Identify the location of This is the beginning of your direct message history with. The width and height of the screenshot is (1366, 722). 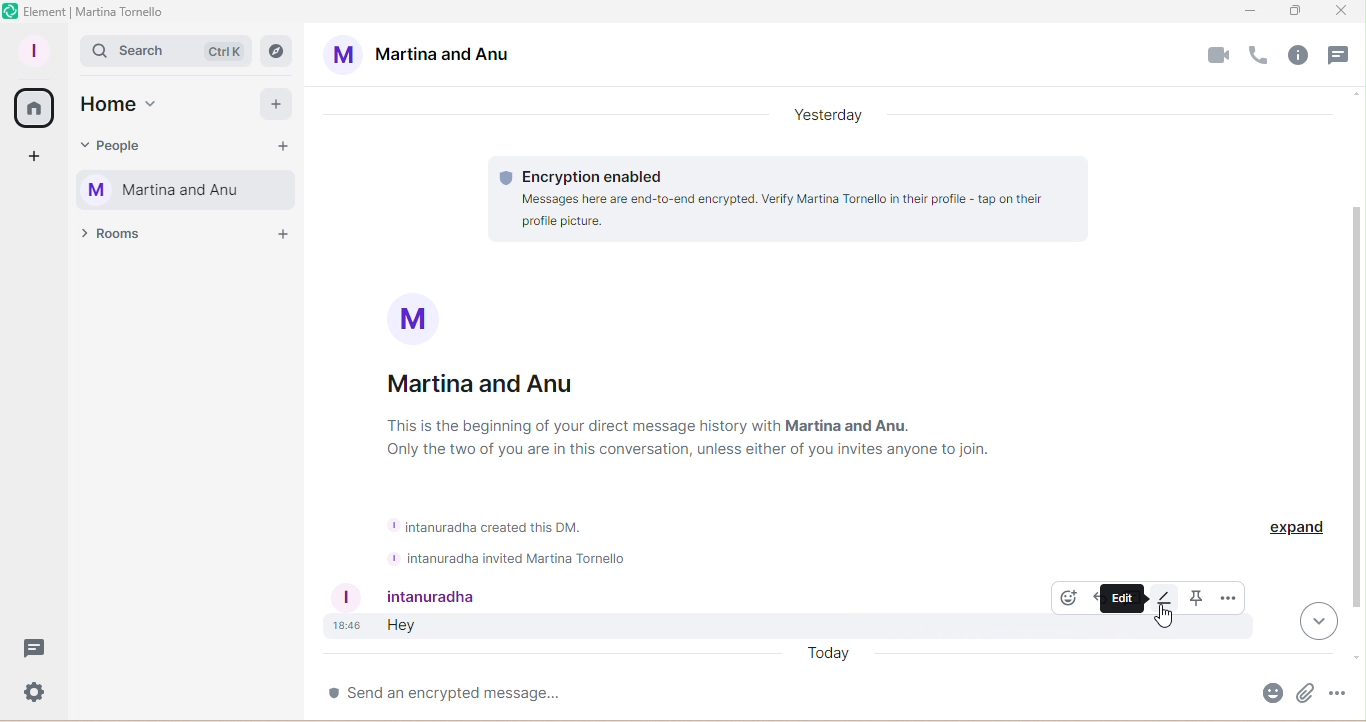
(575, 426).